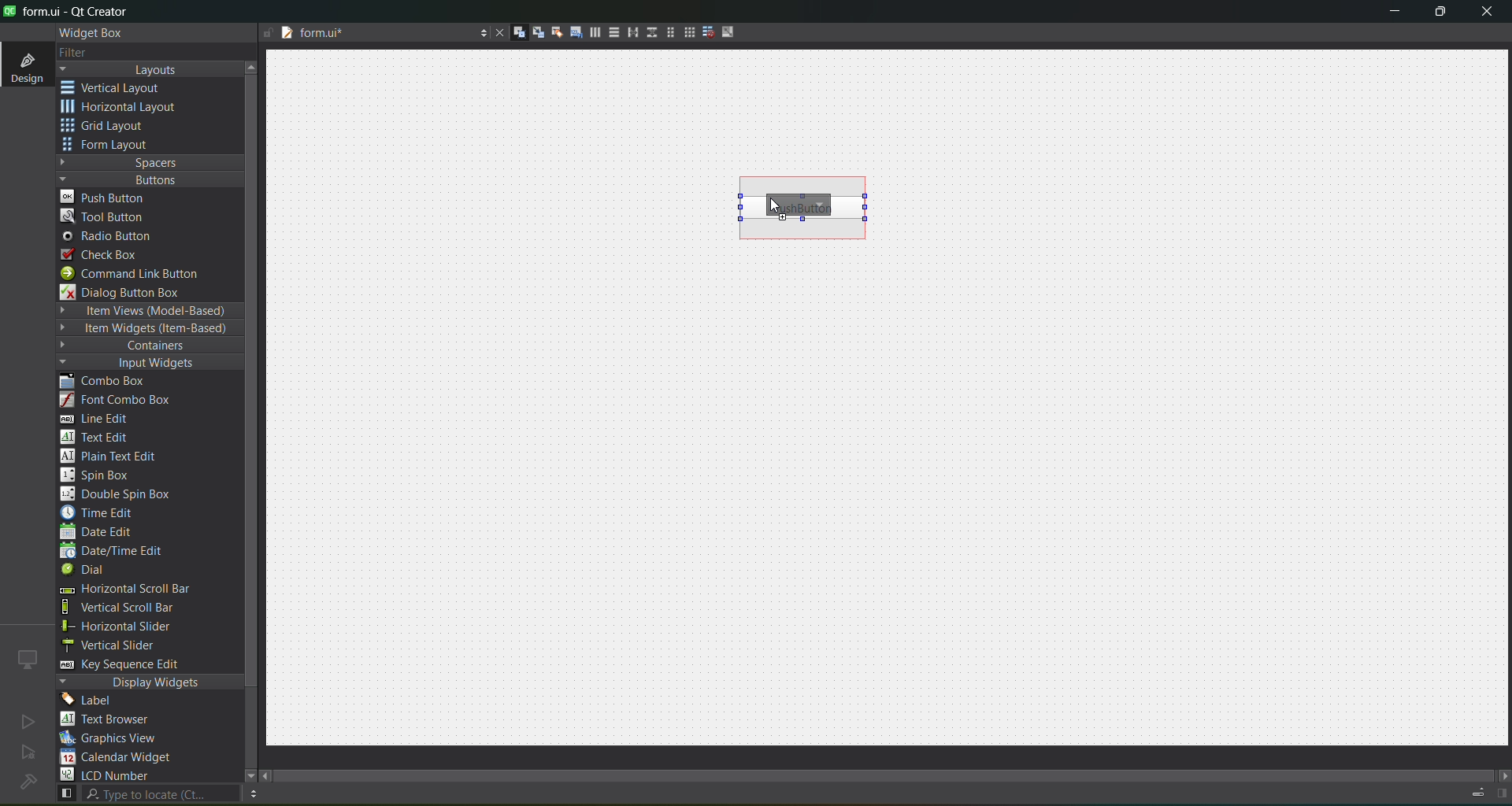 The image size is (1512, 806). Describe the element at coordinates (112, 237) in the screenshot. I see `radio` at that location.